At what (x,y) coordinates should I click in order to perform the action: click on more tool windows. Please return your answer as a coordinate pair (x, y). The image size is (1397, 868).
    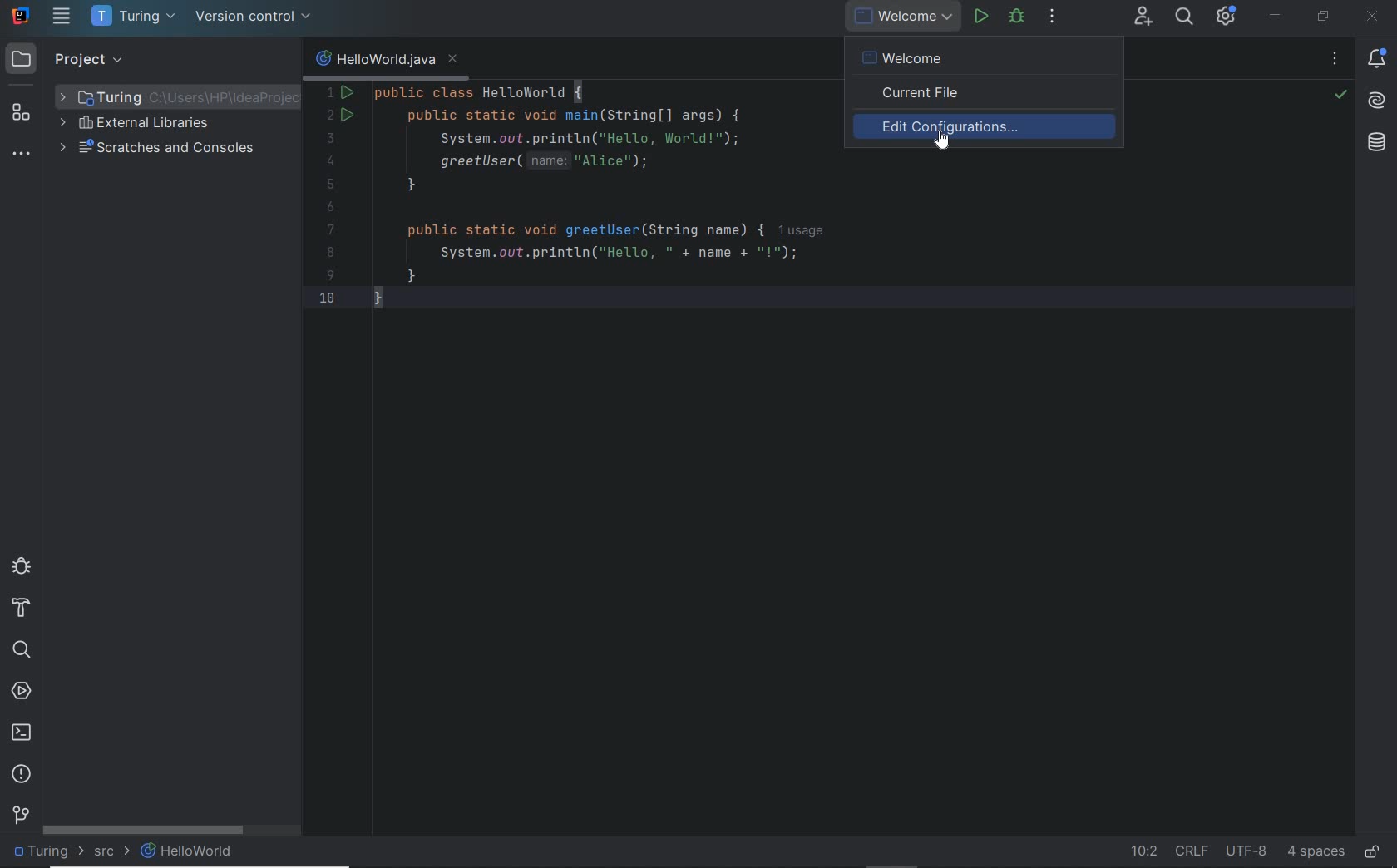
    Looking at the image, I should click on (20, 155).